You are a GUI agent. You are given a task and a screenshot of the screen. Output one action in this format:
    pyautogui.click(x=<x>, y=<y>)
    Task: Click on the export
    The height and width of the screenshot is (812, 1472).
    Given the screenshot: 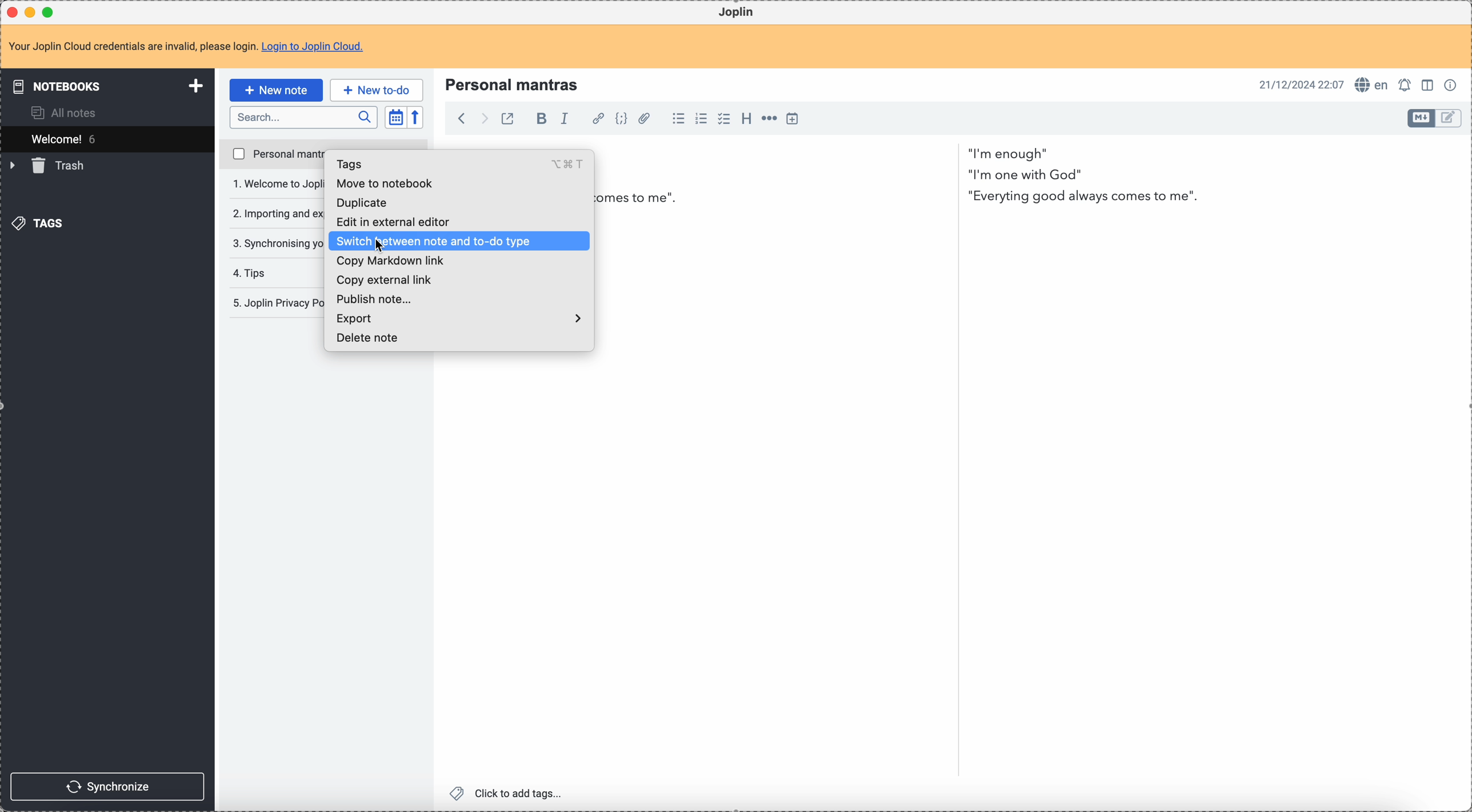 What is the action you would take?
    pyautogui.click(x=459, y=317)
    